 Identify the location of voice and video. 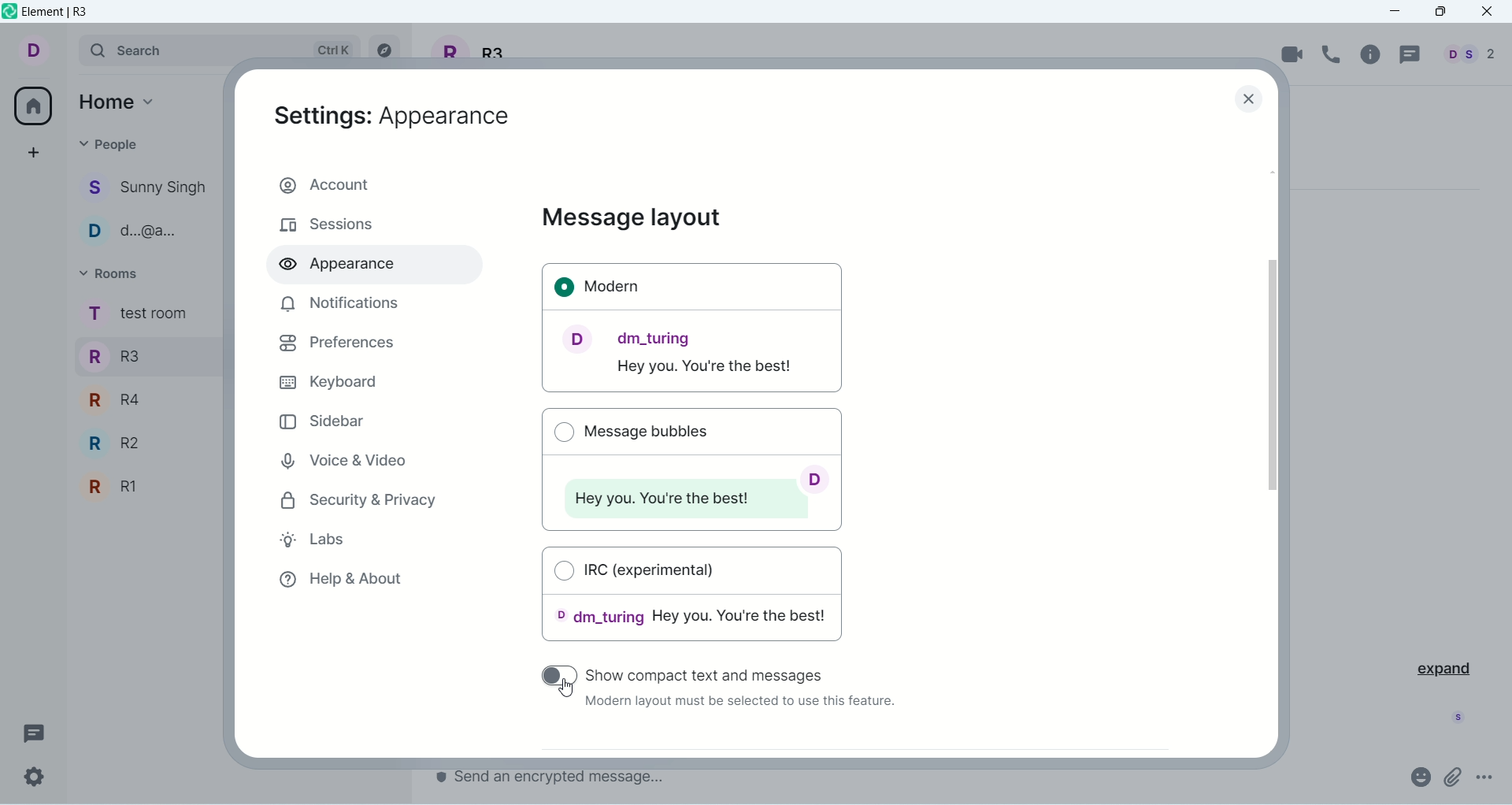
(341, 458).